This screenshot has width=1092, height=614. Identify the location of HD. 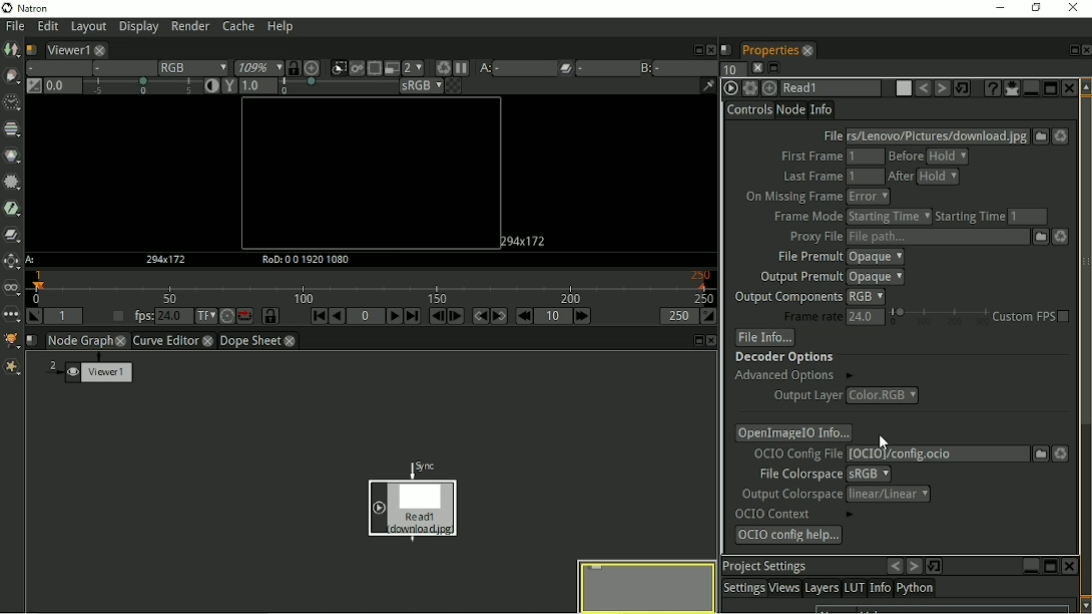
(174, 259).